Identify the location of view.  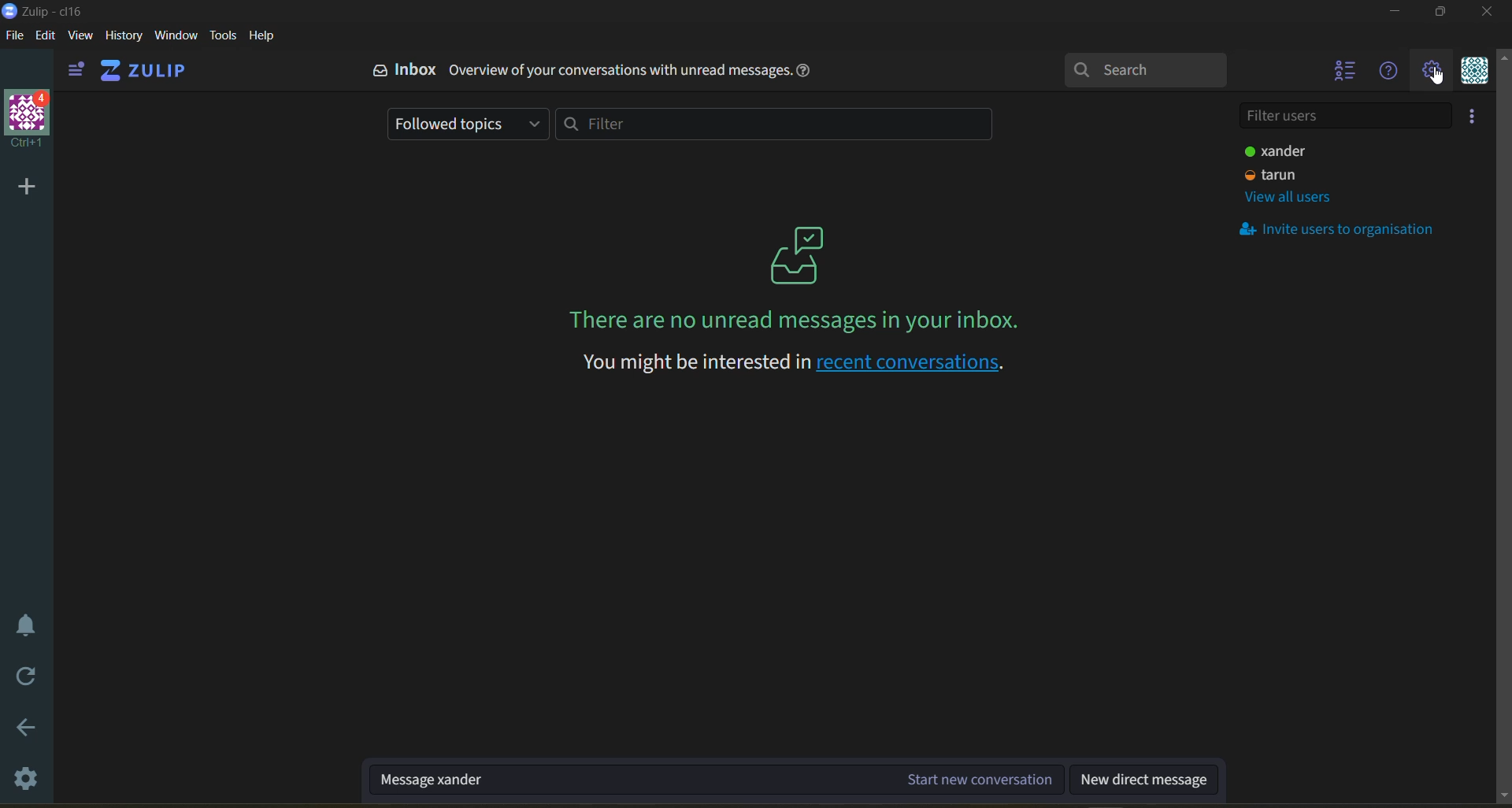
(83, 37).